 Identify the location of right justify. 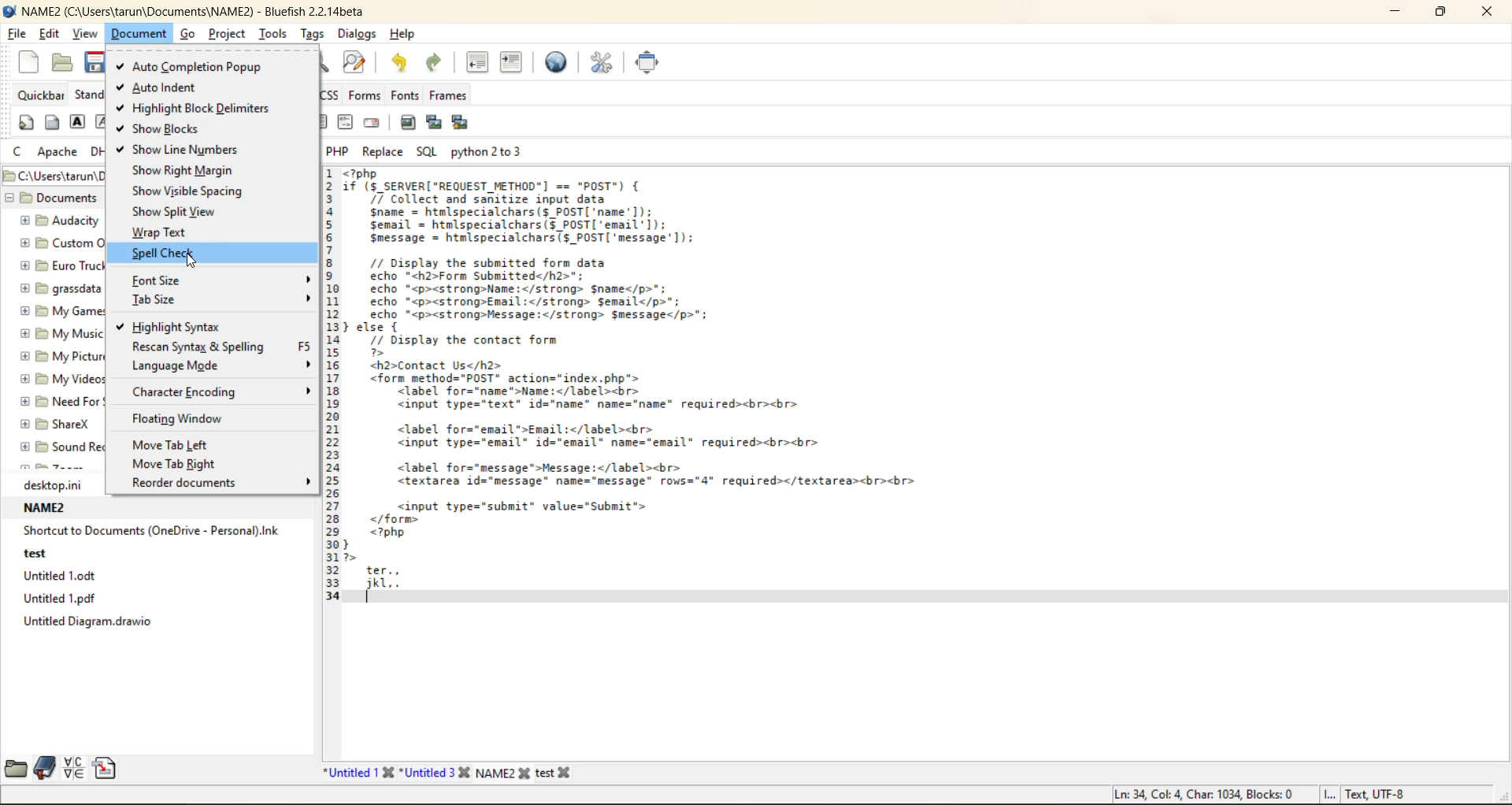
(321, 121).